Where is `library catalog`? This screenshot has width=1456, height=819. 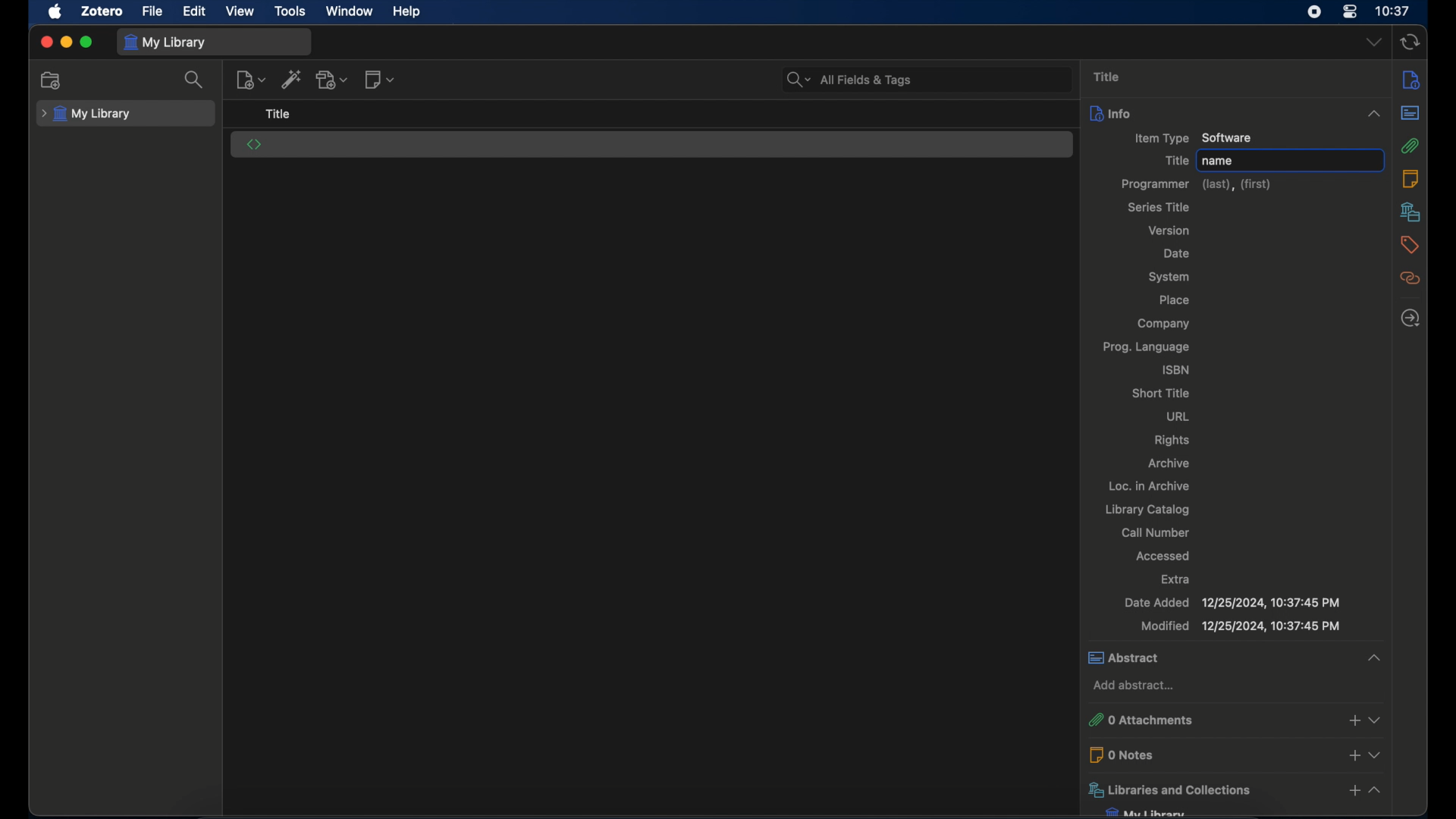 library catalog is located at coordinates (1147, 510).